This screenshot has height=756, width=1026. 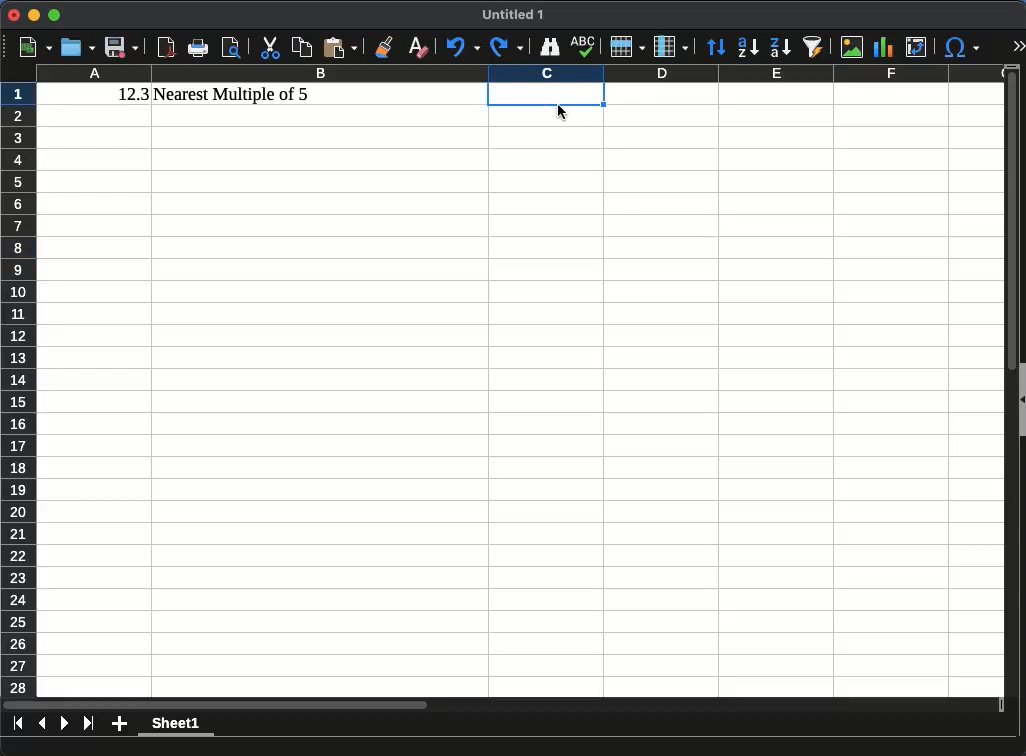 I want to click on open, so click(x=78, y=47).